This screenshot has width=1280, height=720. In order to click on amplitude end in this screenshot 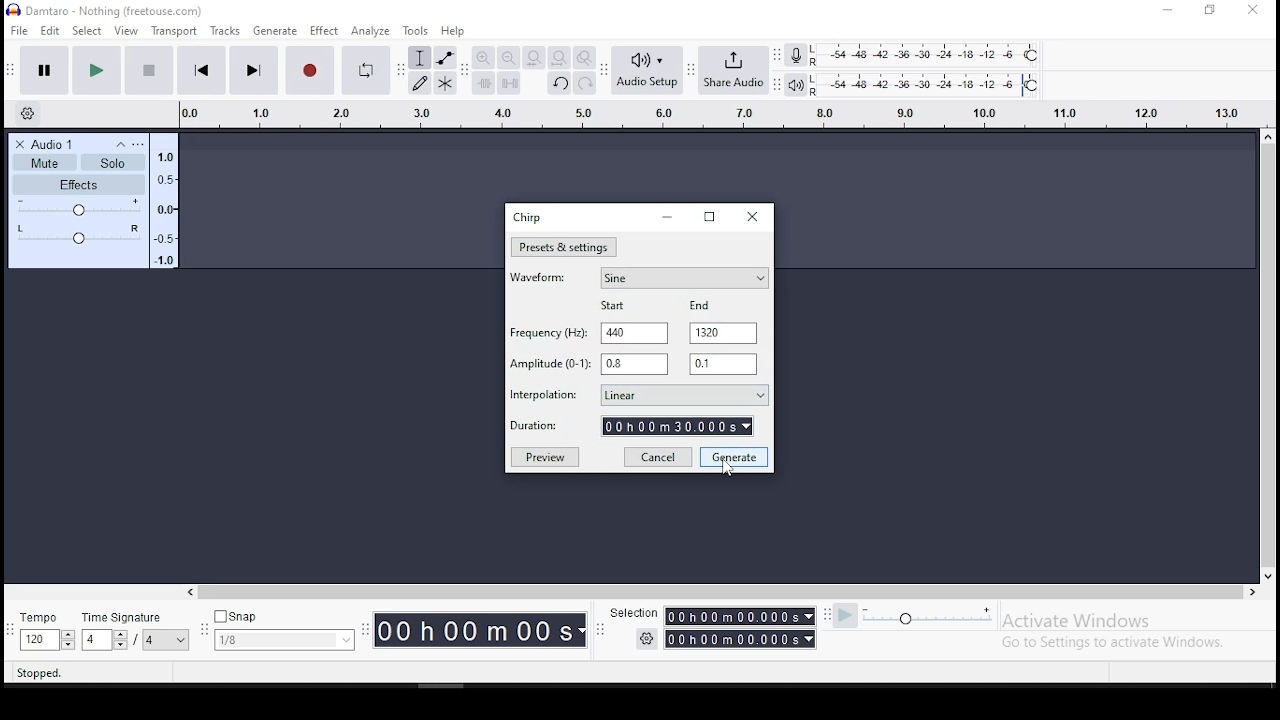, I will do `click(723, 363)`.